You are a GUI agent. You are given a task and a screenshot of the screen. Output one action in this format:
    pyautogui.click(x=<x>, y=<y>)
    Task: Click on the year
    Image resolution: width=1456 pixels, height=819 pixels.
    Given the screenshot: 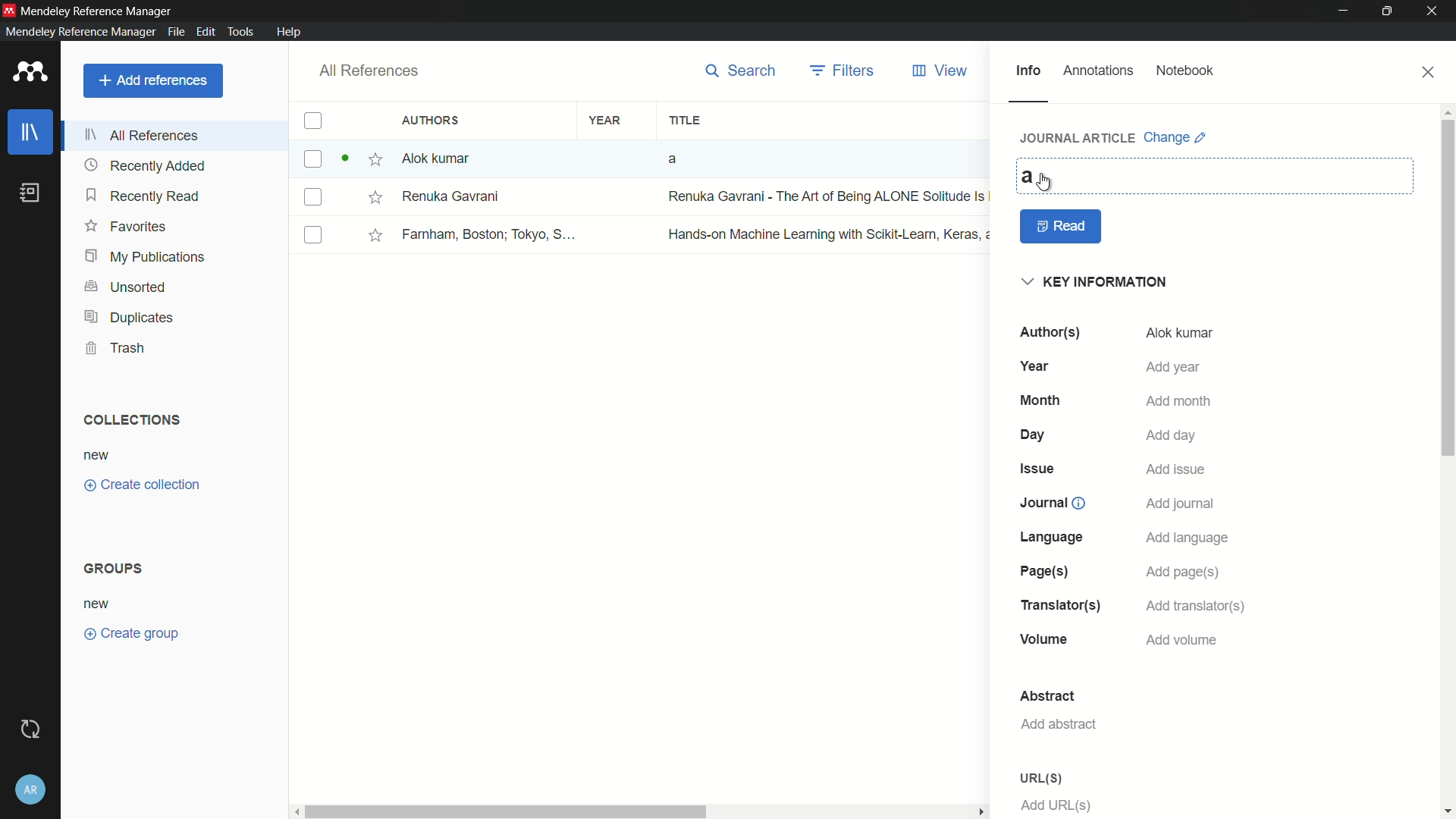 What is the action you would take?
    pyautogui.click(x=1038, y=366)
    